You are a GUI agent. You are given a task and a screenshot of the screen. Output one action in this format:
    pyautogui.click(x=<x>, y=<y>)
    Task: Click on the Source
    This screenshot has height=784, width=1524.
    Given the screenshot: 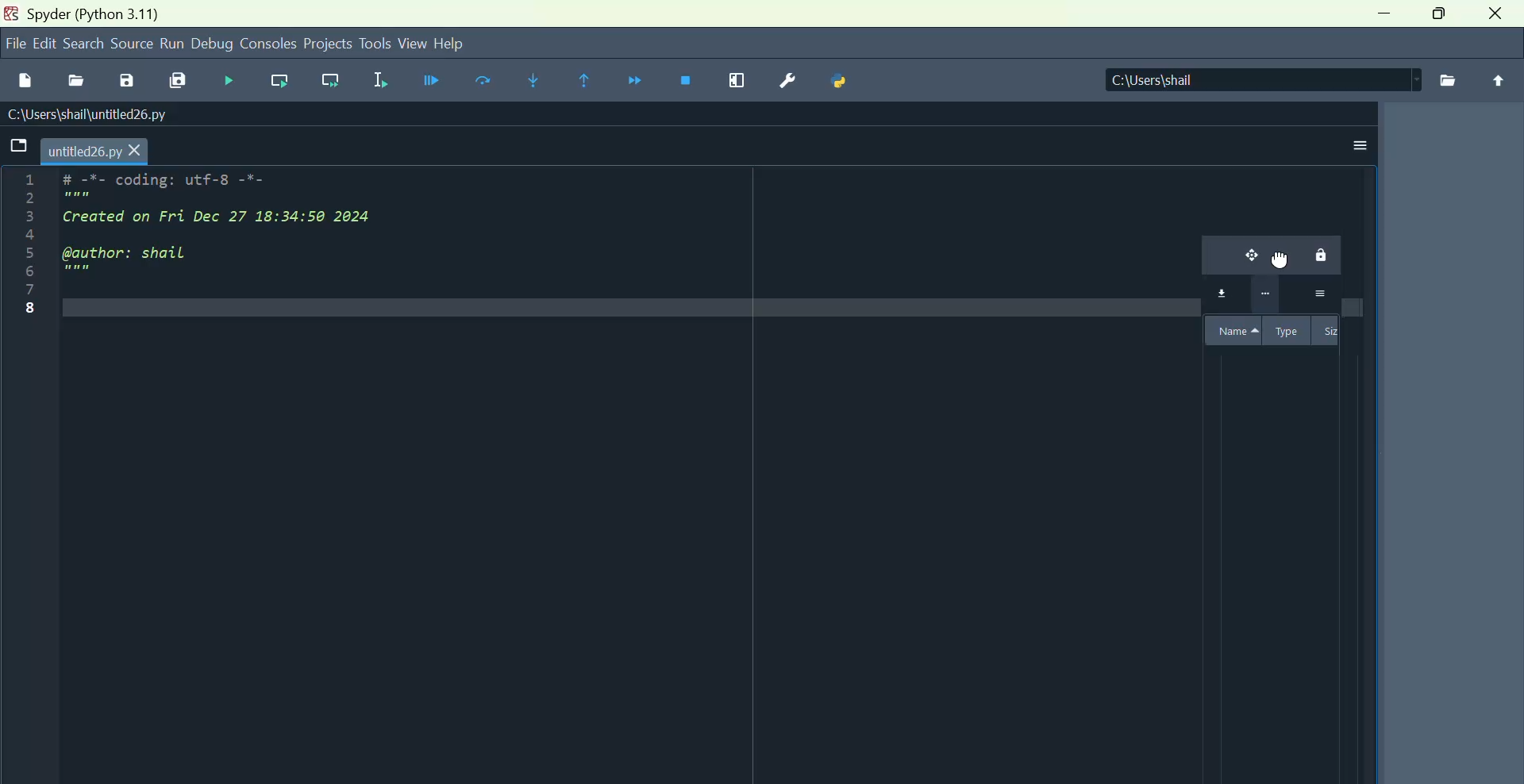 What is the action you would take?
    pyautogui.click(x=134, y=44)
    